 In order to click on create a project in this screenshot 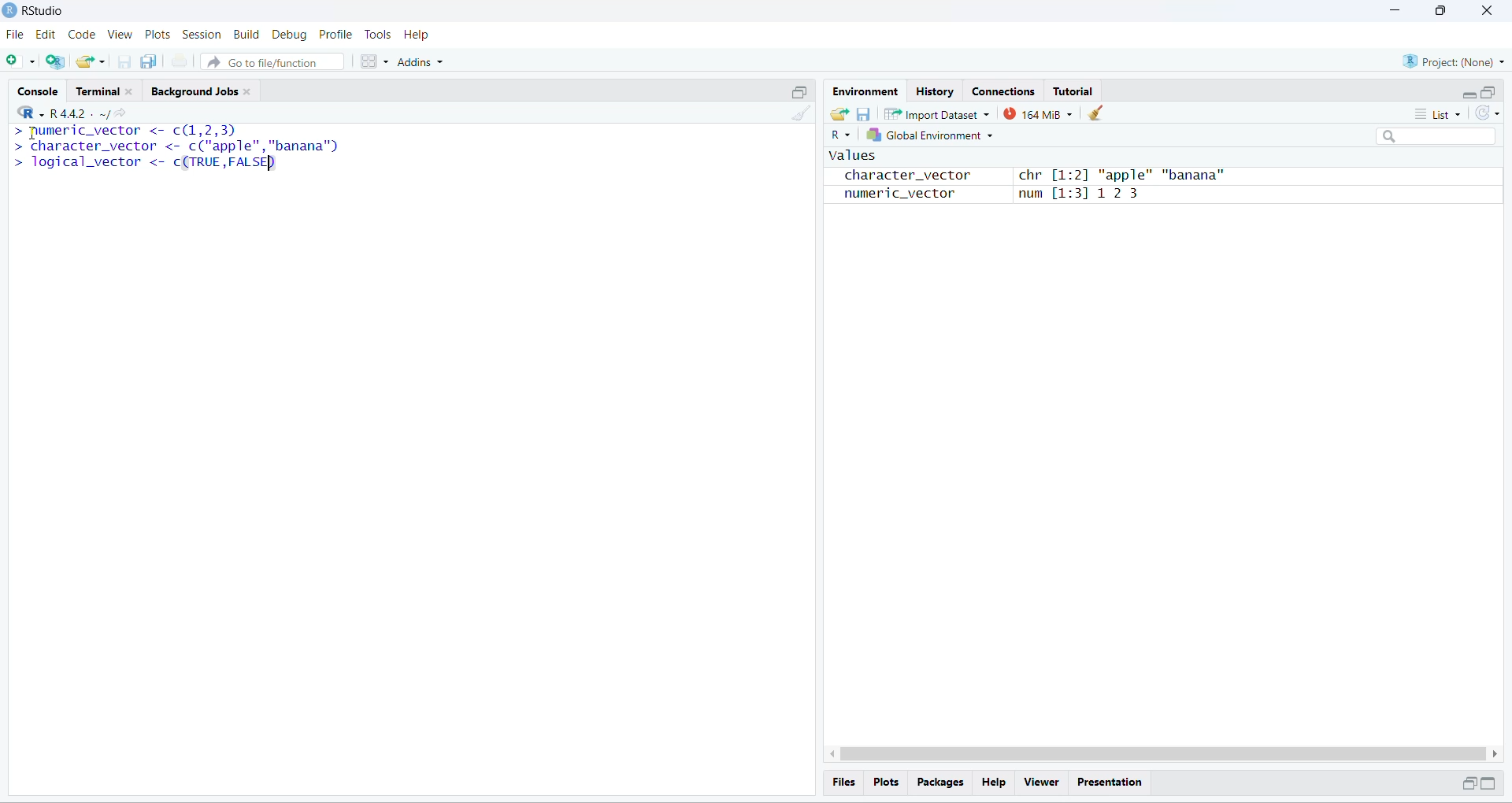, I will do `click(54, 61)`.